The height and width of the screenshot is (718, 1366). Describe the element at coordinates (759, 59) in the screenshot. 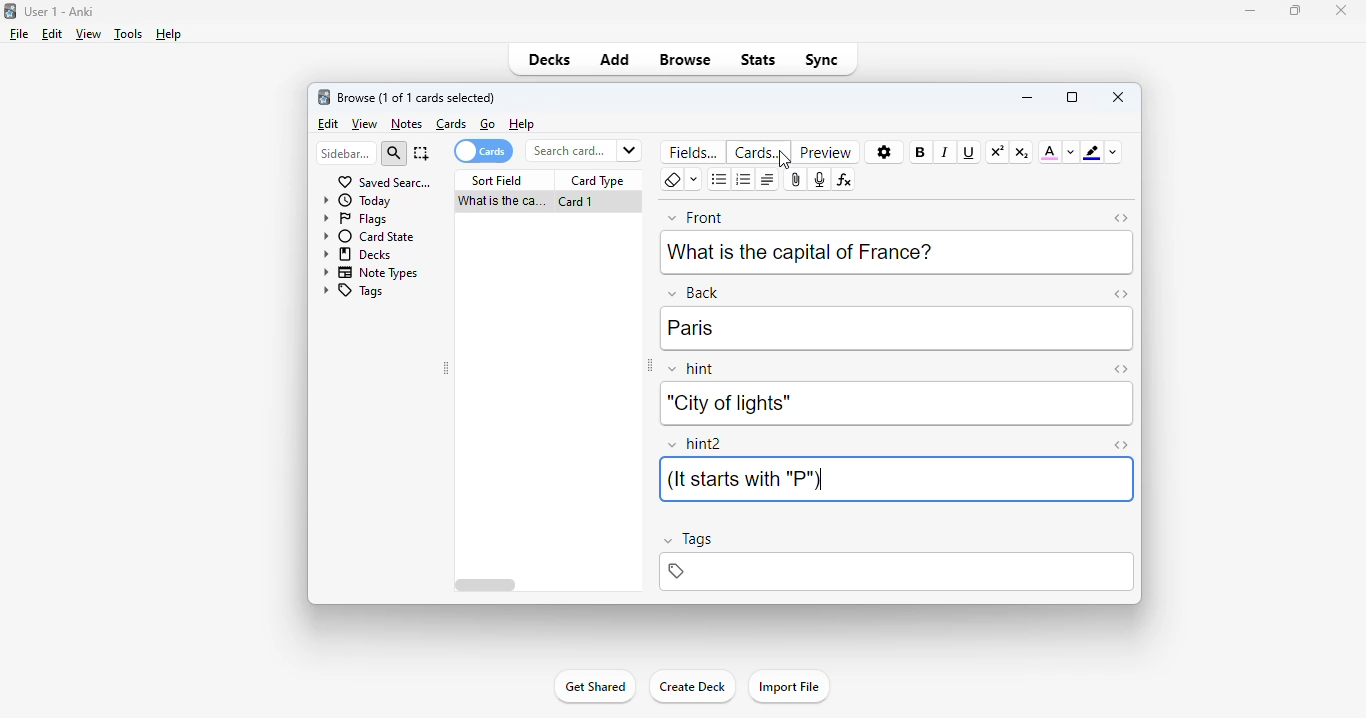

I see `stats` at that location.